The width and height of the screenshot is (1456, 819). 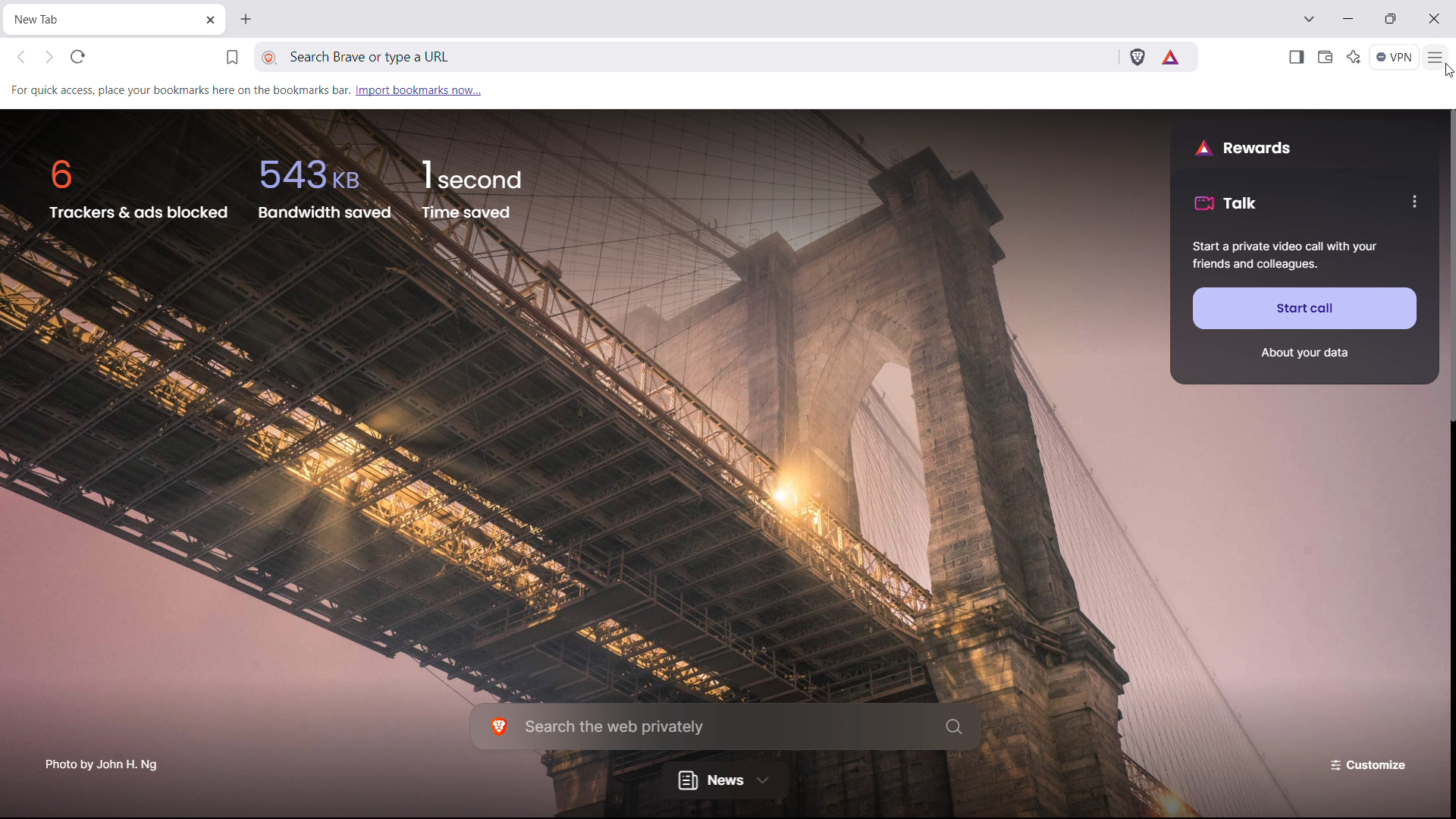 I want to click on brave shields, so click(x=1137, y=56).